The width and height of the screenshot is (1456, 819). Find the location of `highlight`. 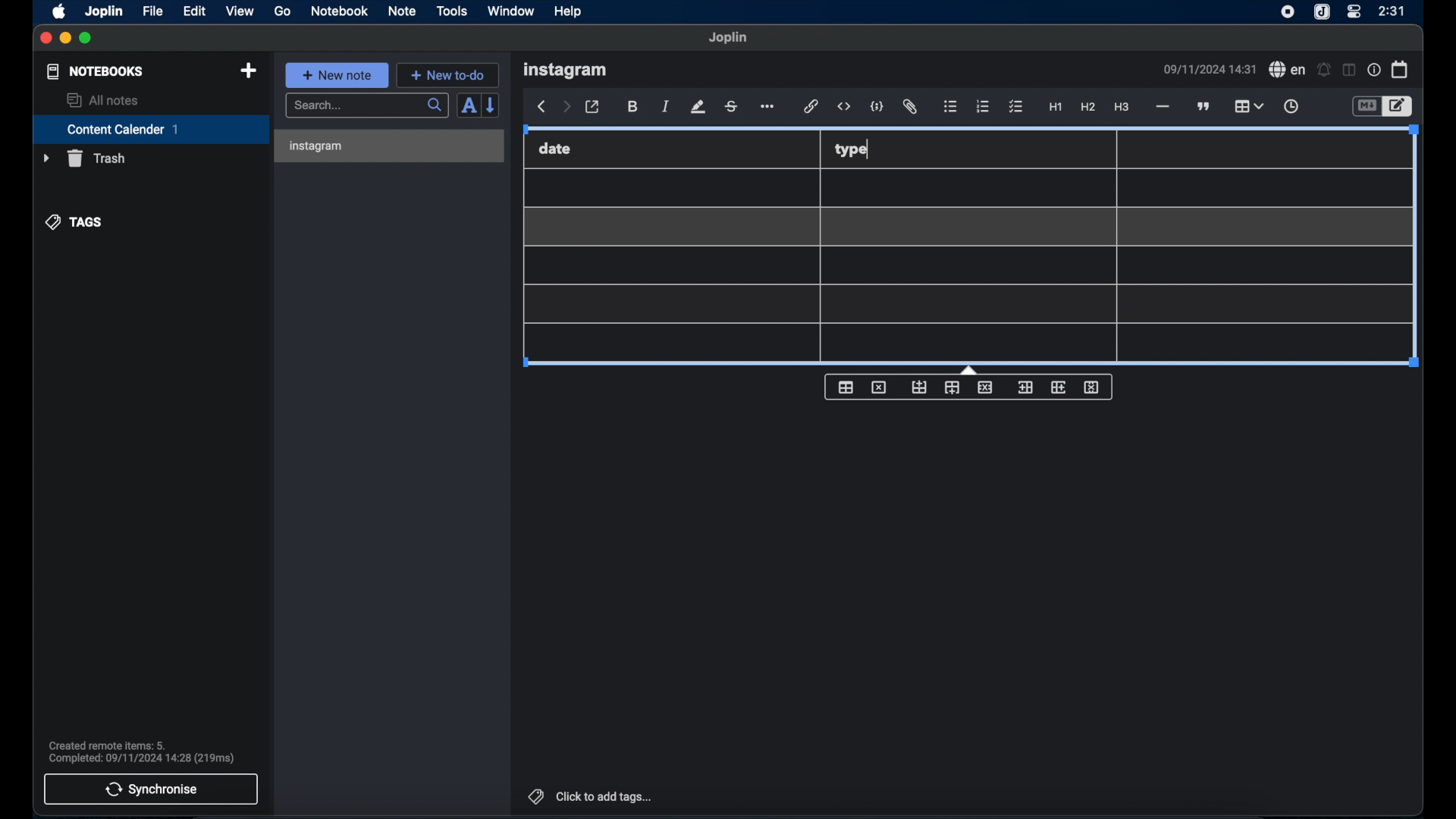

highlight is located at coordinates (698, 107).